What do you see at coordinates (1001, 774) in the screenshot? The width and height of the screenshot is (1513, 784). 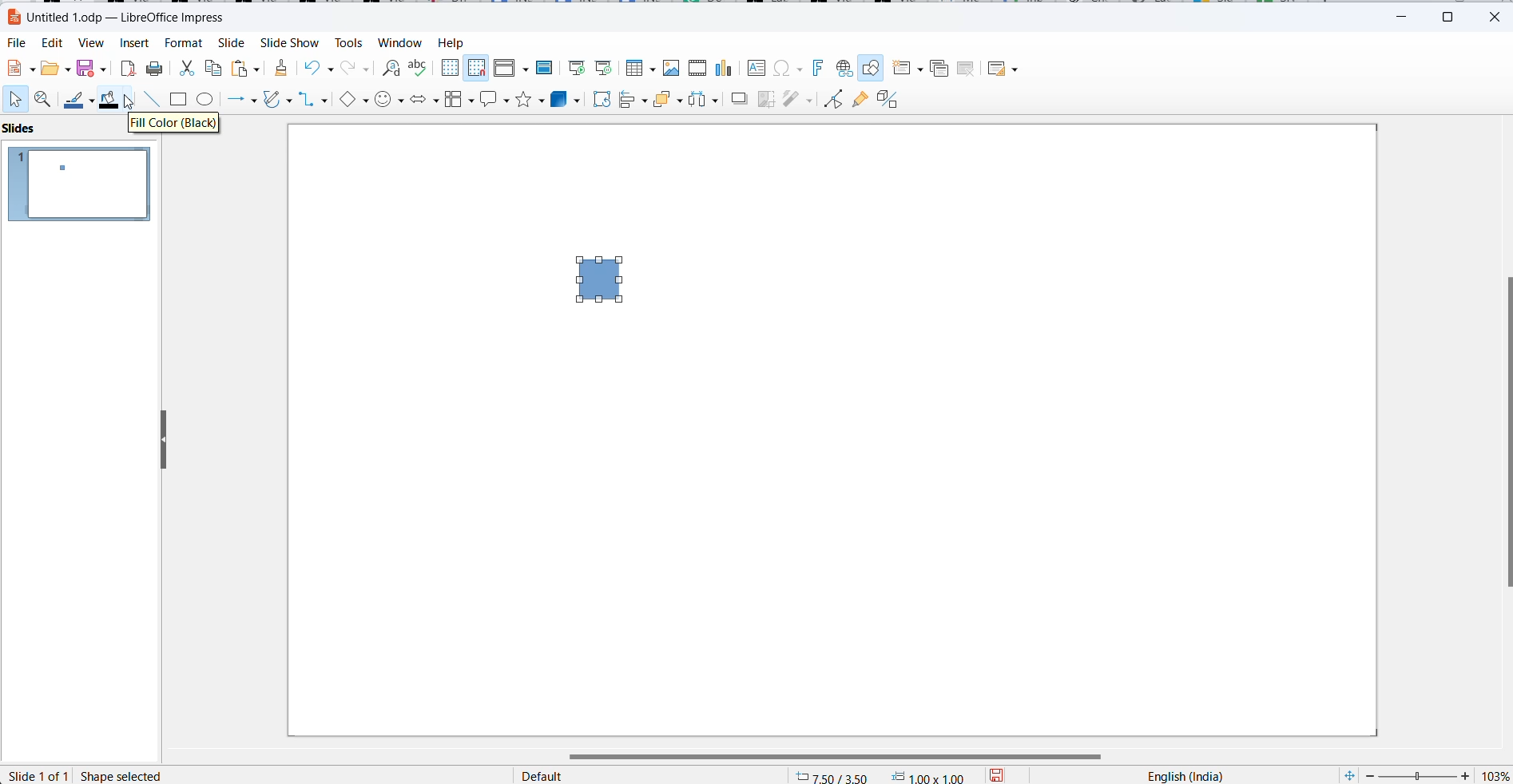 I see `save options` at bounding box center [1001, 774].